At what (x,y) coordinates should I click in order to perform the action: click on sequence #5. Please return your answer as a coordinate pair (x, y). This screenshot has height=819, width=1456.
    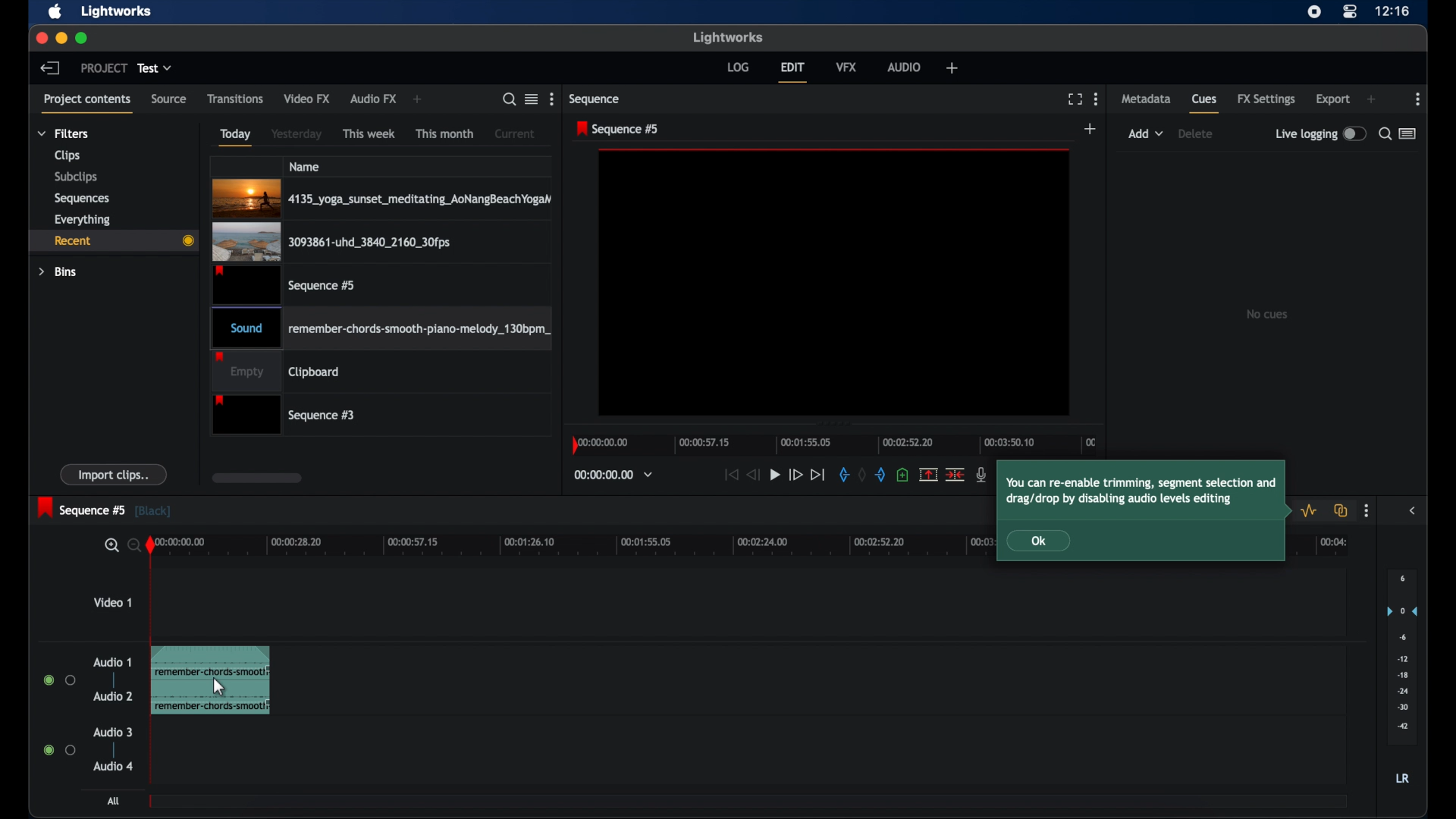
    Looking at the image, I should click on (283, 284).